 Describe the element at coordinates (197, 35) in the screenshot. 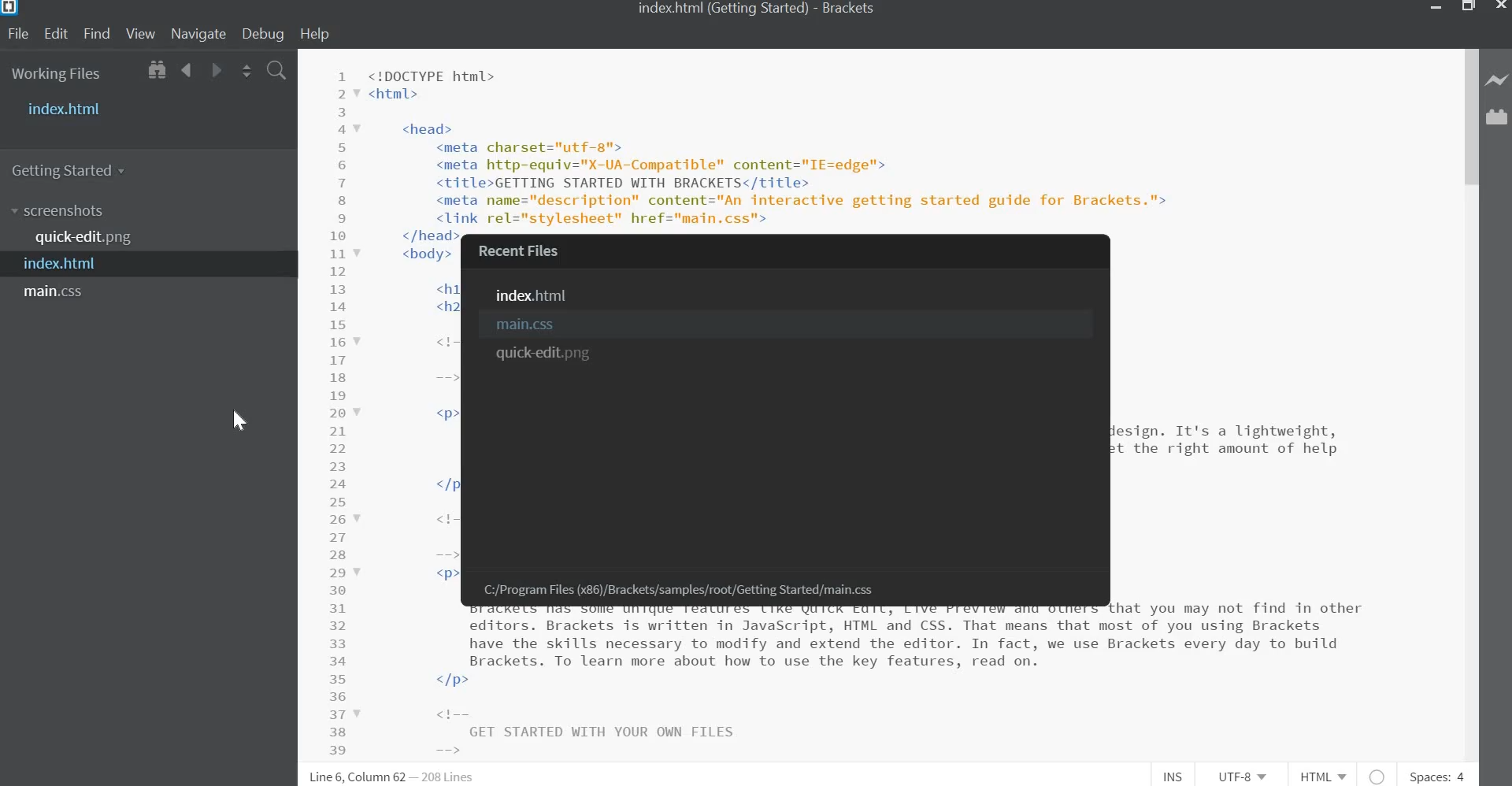

I see `Navigate` at that location.